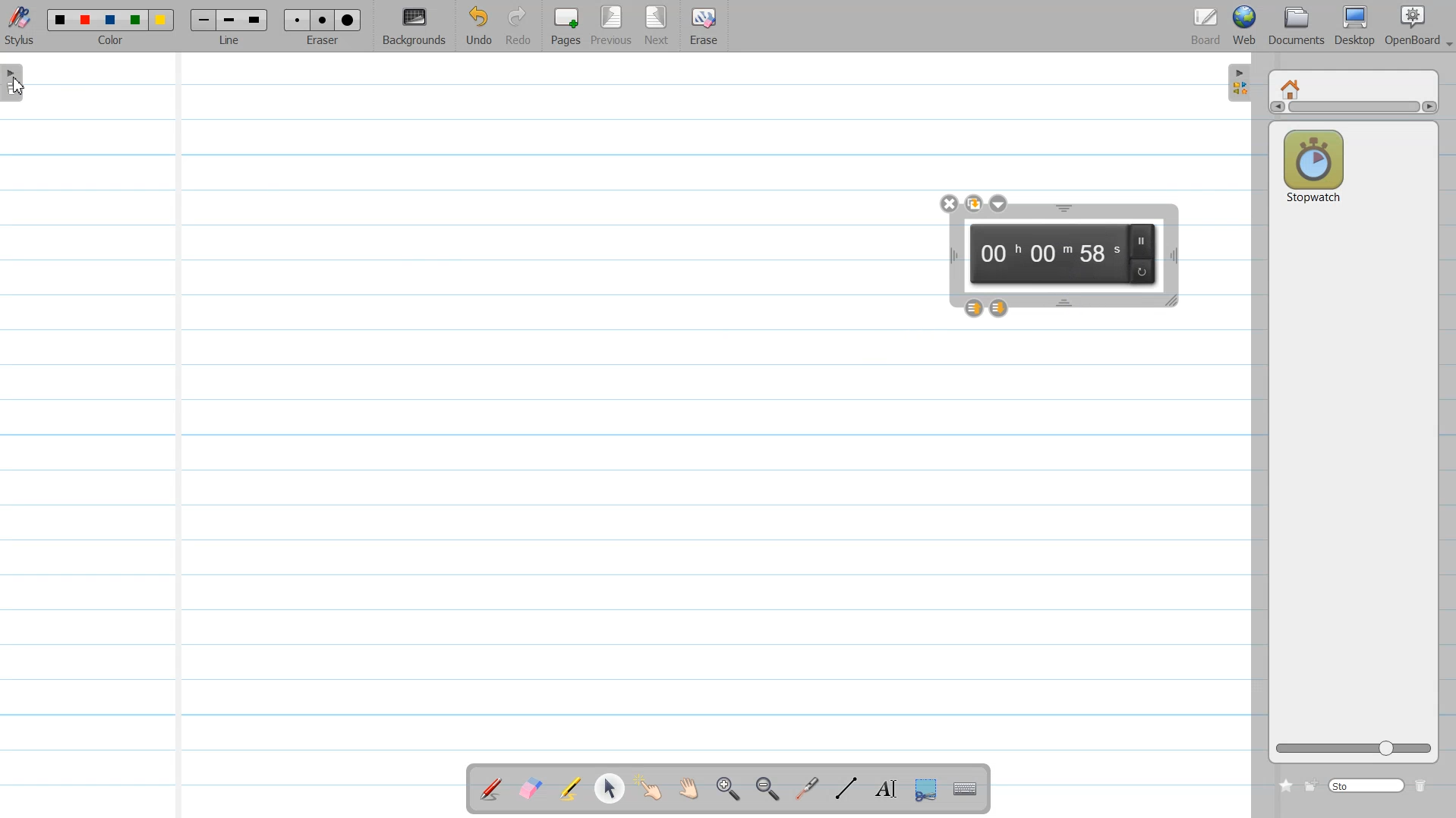  Describe the element at coordinates (1292, 87) in the screenshot. I see `Home window` at that location.